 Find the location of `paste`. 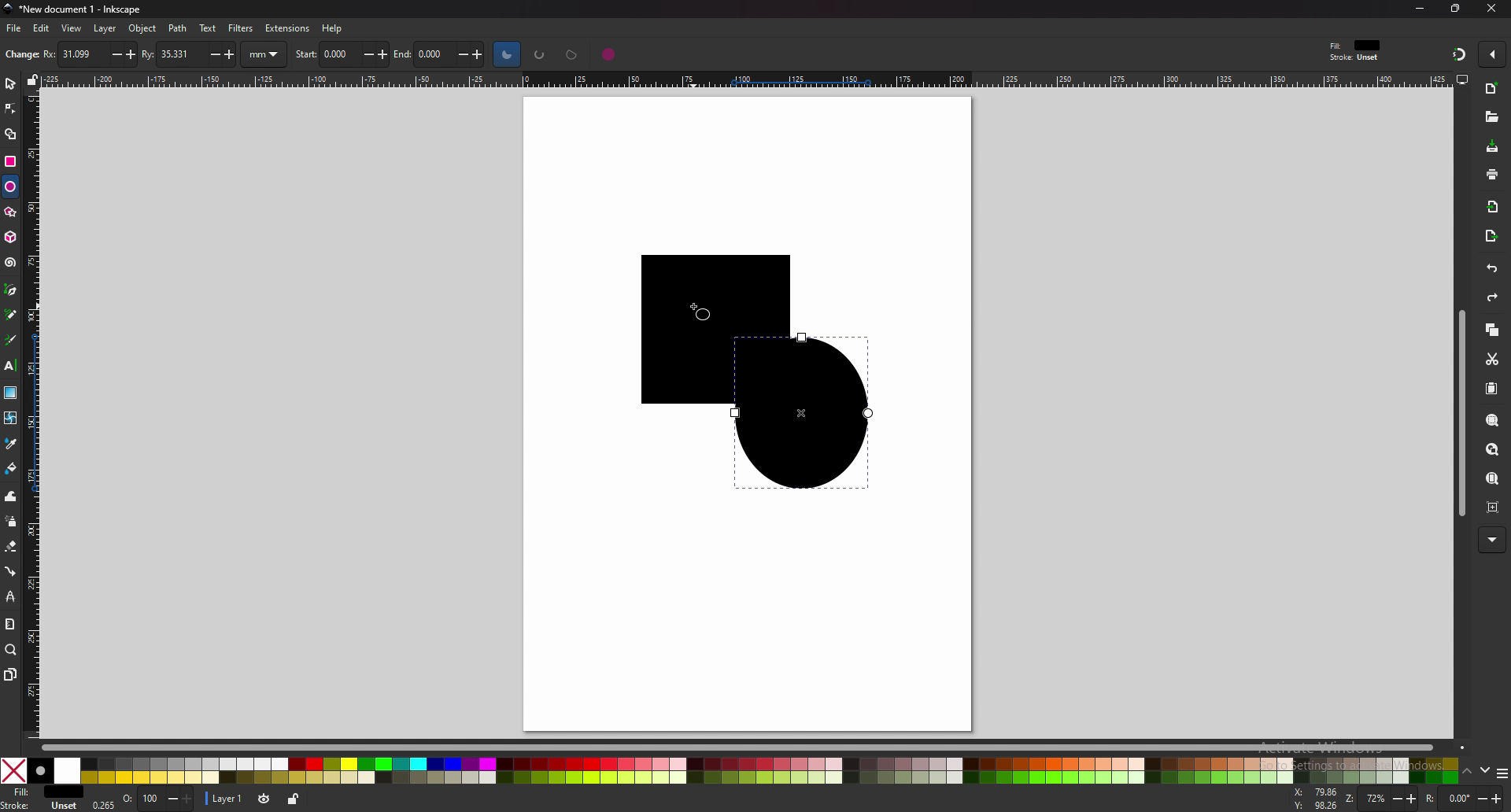

paste is located at coordinates (1490, 388).